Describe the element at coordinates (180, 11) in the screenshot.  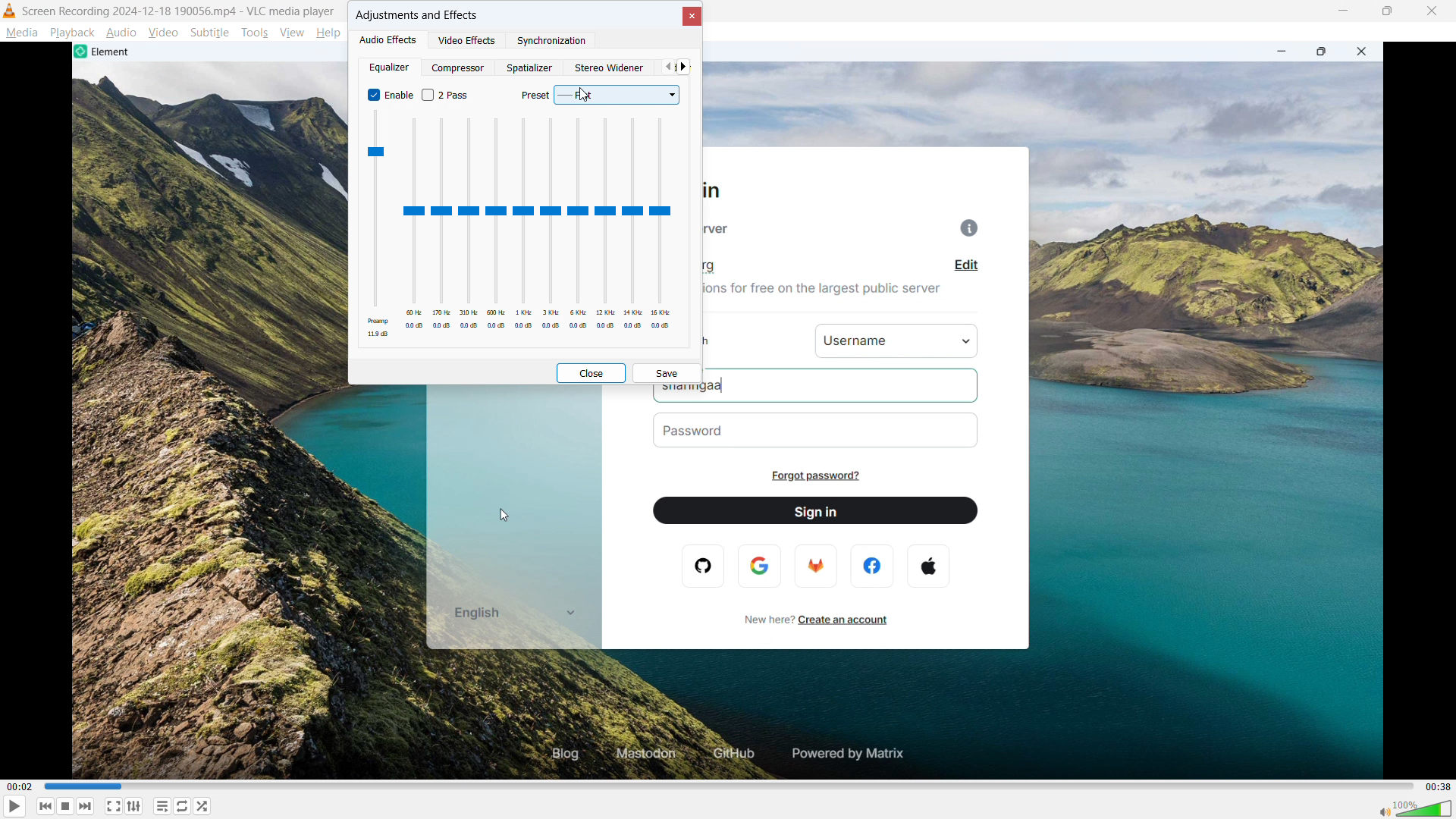
I see `recording 2024-12-18 19006.mp4 -VLC media player` at that location.